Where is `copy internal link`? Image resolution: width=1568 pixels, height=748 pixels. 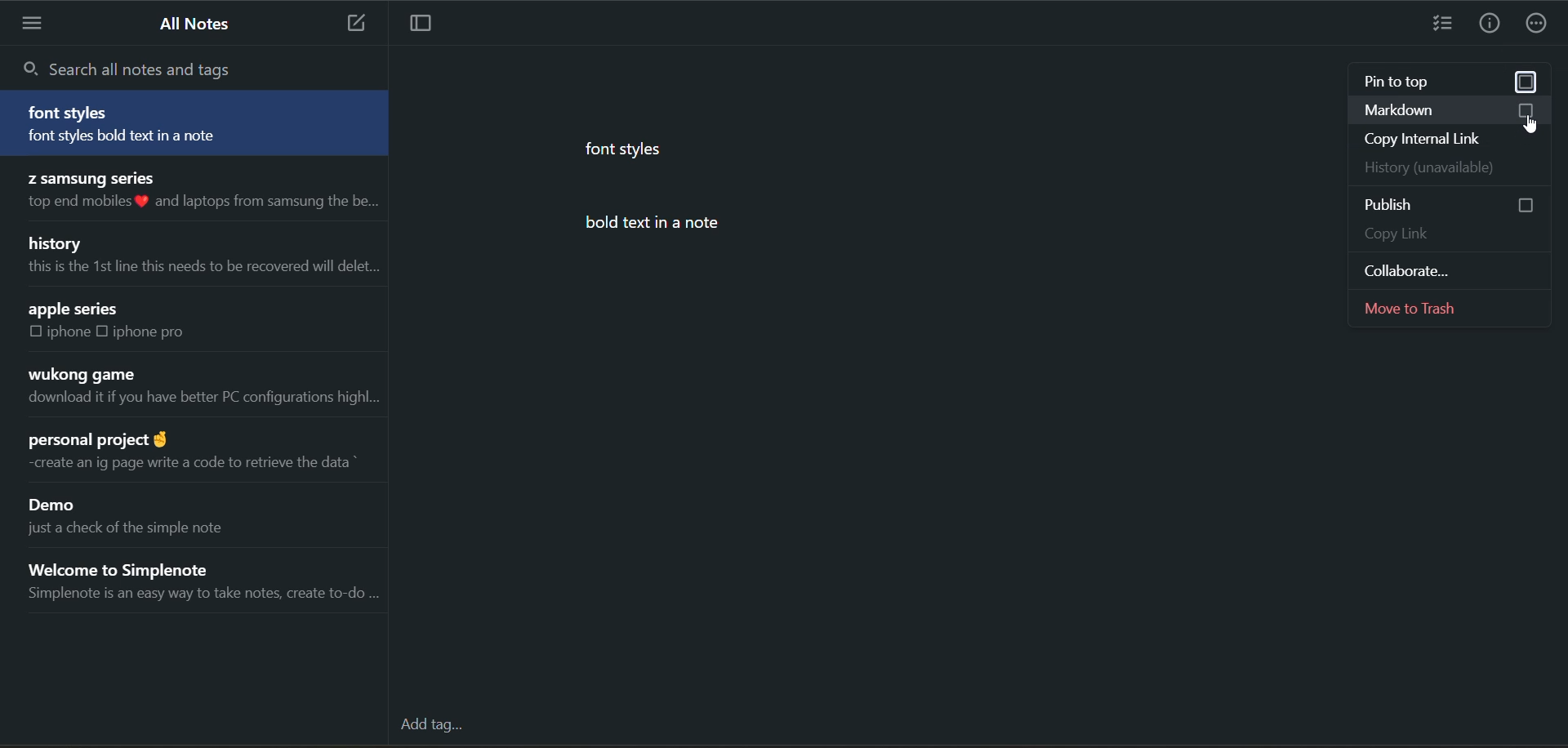
copy internal link is located at coordinates (1450, 137).